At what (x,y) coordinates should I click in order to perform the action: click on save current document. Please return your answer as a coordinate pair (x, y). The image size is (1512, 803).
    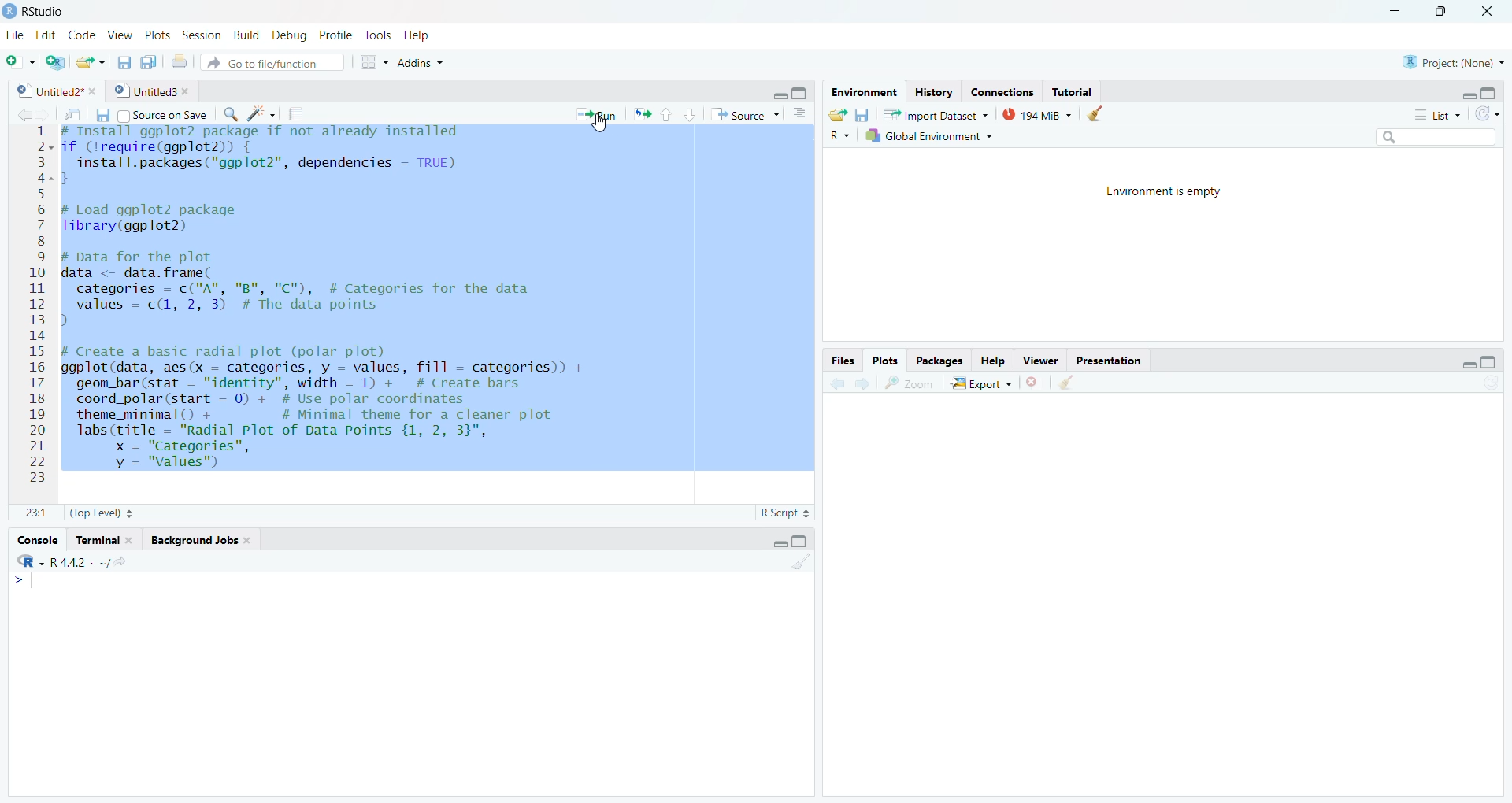
    Looking at the image, I should click on (124, 62).